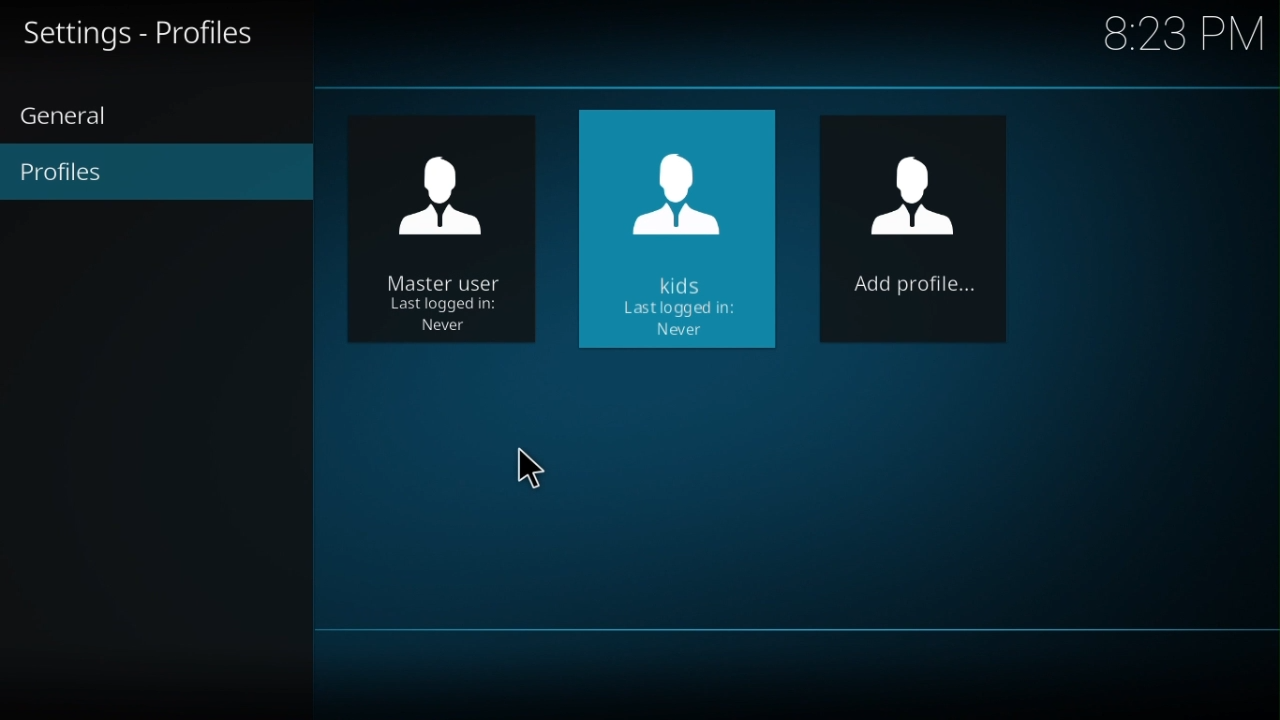 This screenshot has height=720, width=1280. What do you see at coordinates (139, 33) in the screenshot?
I see `Settings - Profiles` at bounding box center [139, 33].